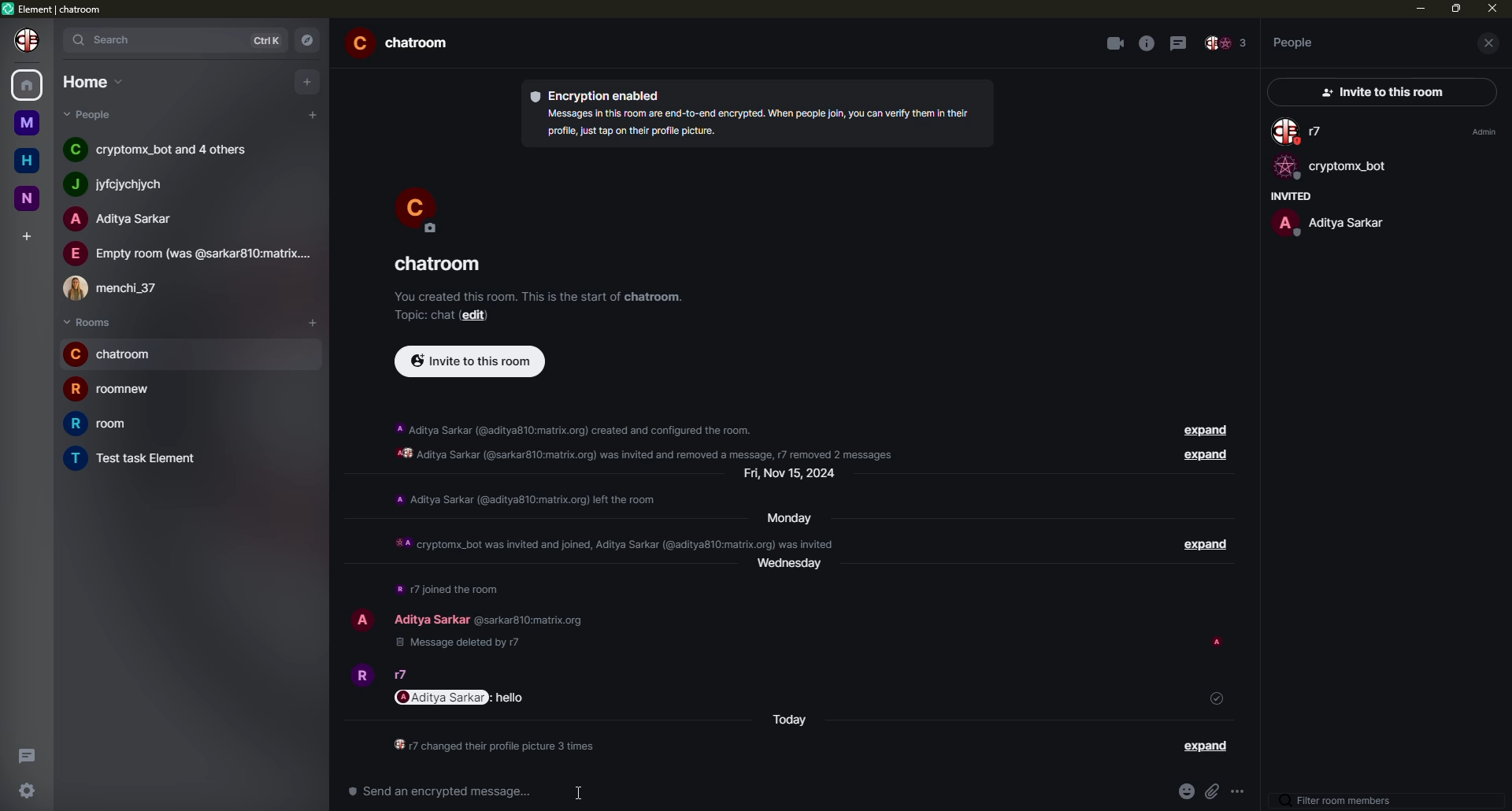 Image resolution: width=1512 pixels, height=811 pixels. What do you see at coordinates (24, 754) in the screenshot?
I see `threads` at bounding box center [24, 754].